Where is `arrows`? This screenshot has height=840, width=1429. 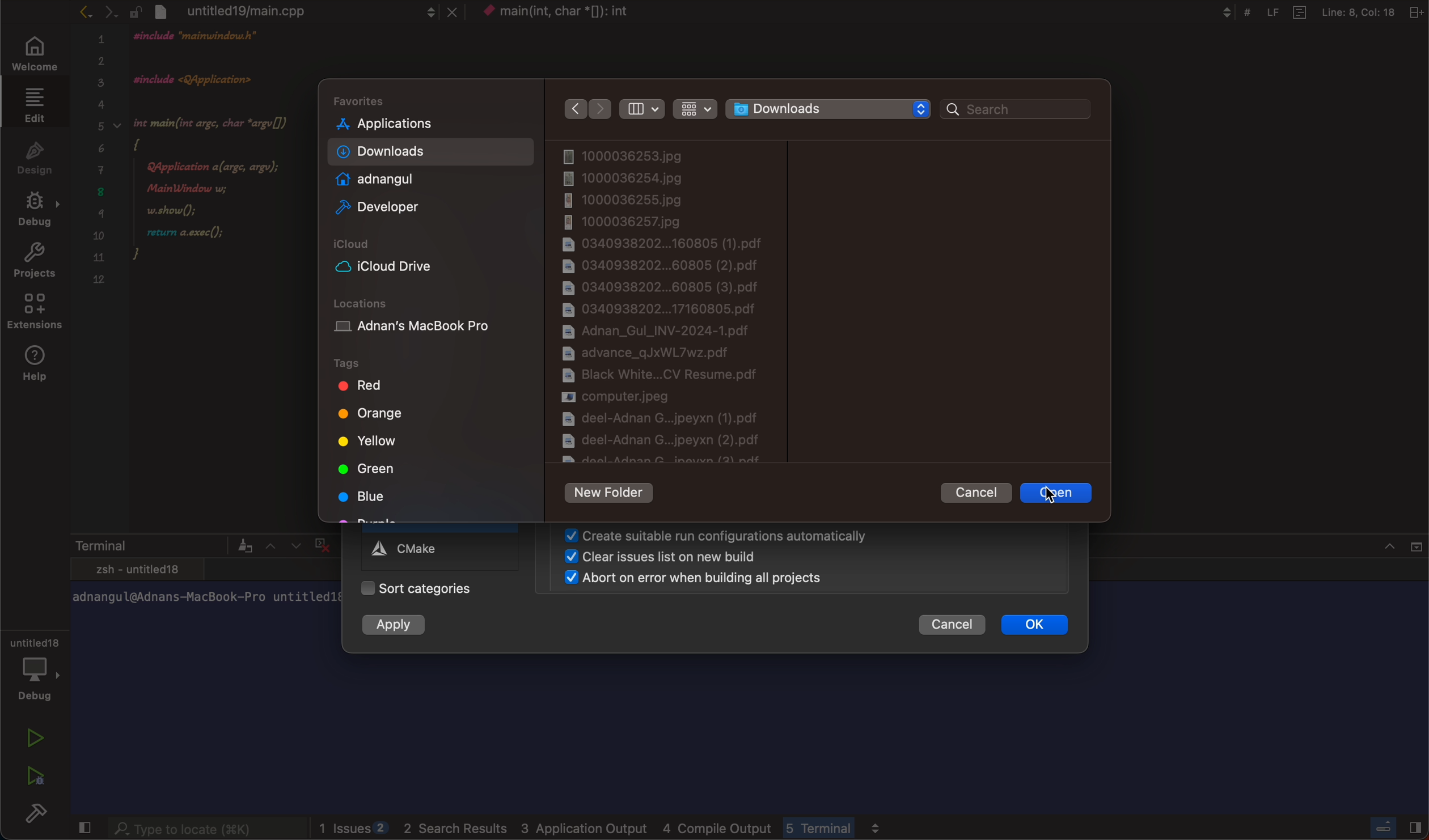
arrows is located at coordinates (91, 14).